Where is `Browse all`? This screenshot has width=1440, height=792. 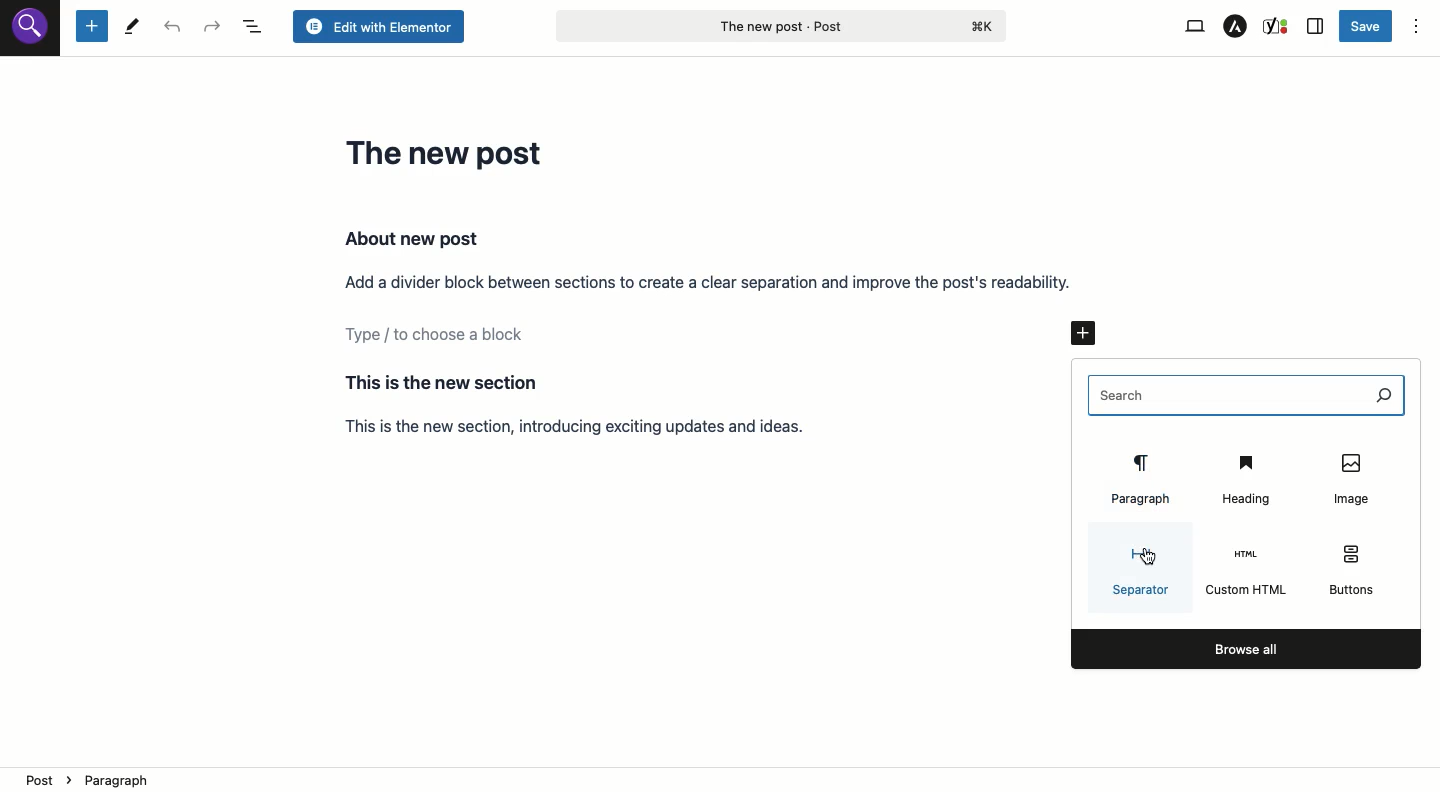 Browse all is located at coordinates (1247, 648).